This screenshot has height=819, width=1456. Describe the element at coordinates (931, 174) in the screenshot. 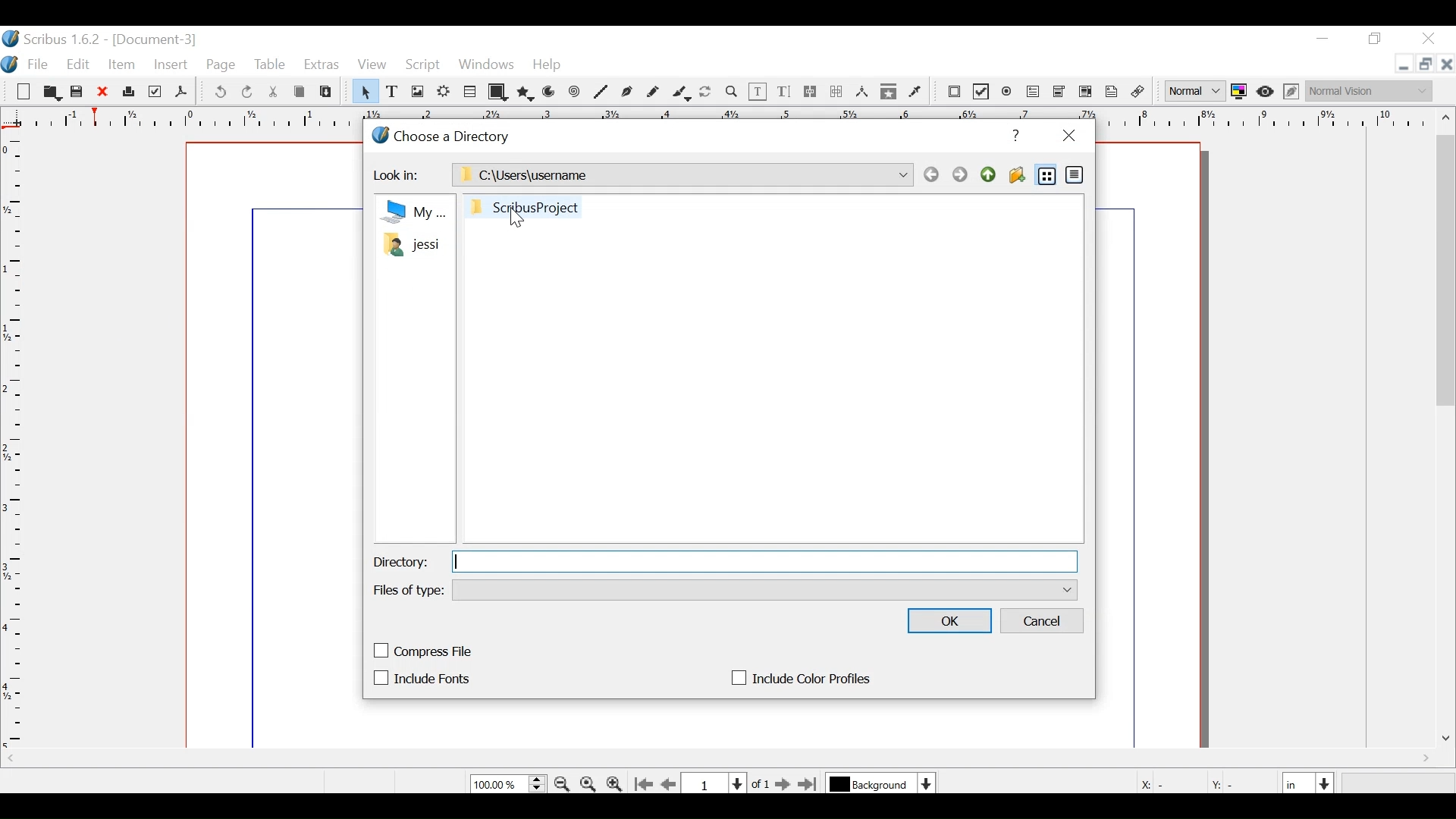

I see `Back` at that location.